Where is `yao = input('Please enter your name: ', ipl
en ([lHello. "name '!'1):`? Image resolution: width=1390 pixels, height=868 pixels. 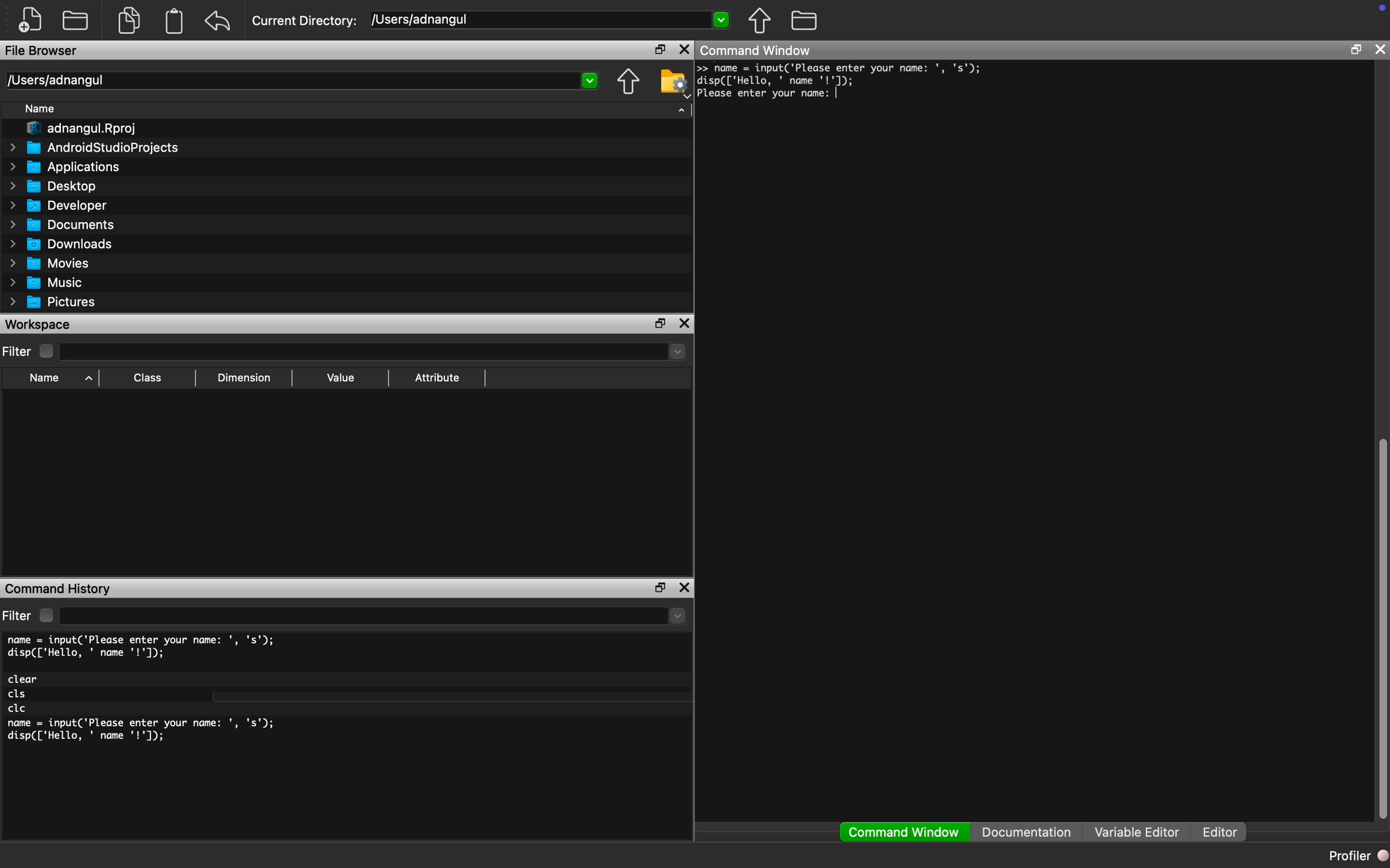 yao = input('Please enter your name: ', ipl
en ([lHello. "name '!'1): is located at coordinates (843, 74).